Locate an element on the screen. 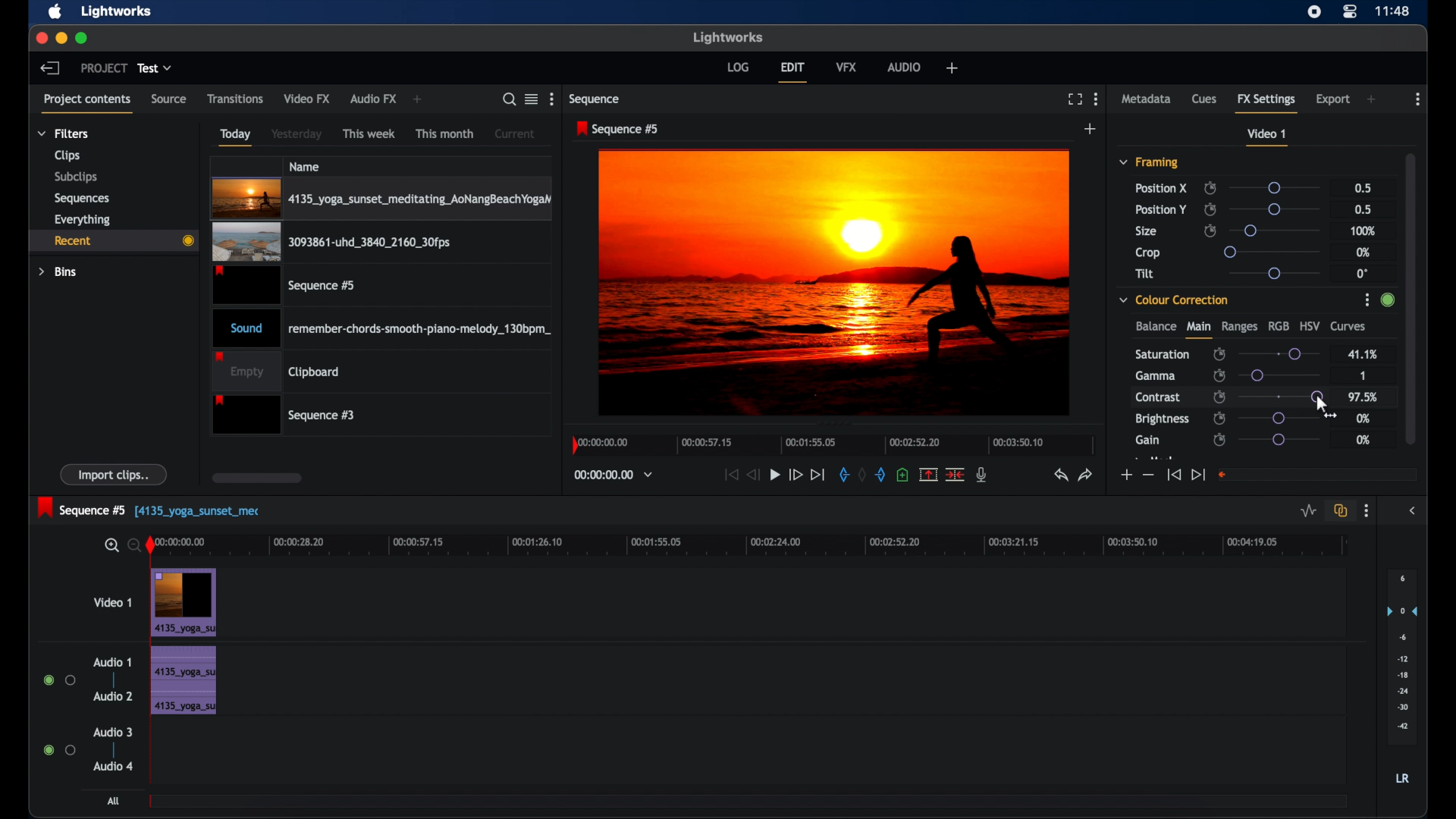 Image resolution: width=1456 pixels, height=819 pixels. fx settings is located at coordinates (1268, 102).